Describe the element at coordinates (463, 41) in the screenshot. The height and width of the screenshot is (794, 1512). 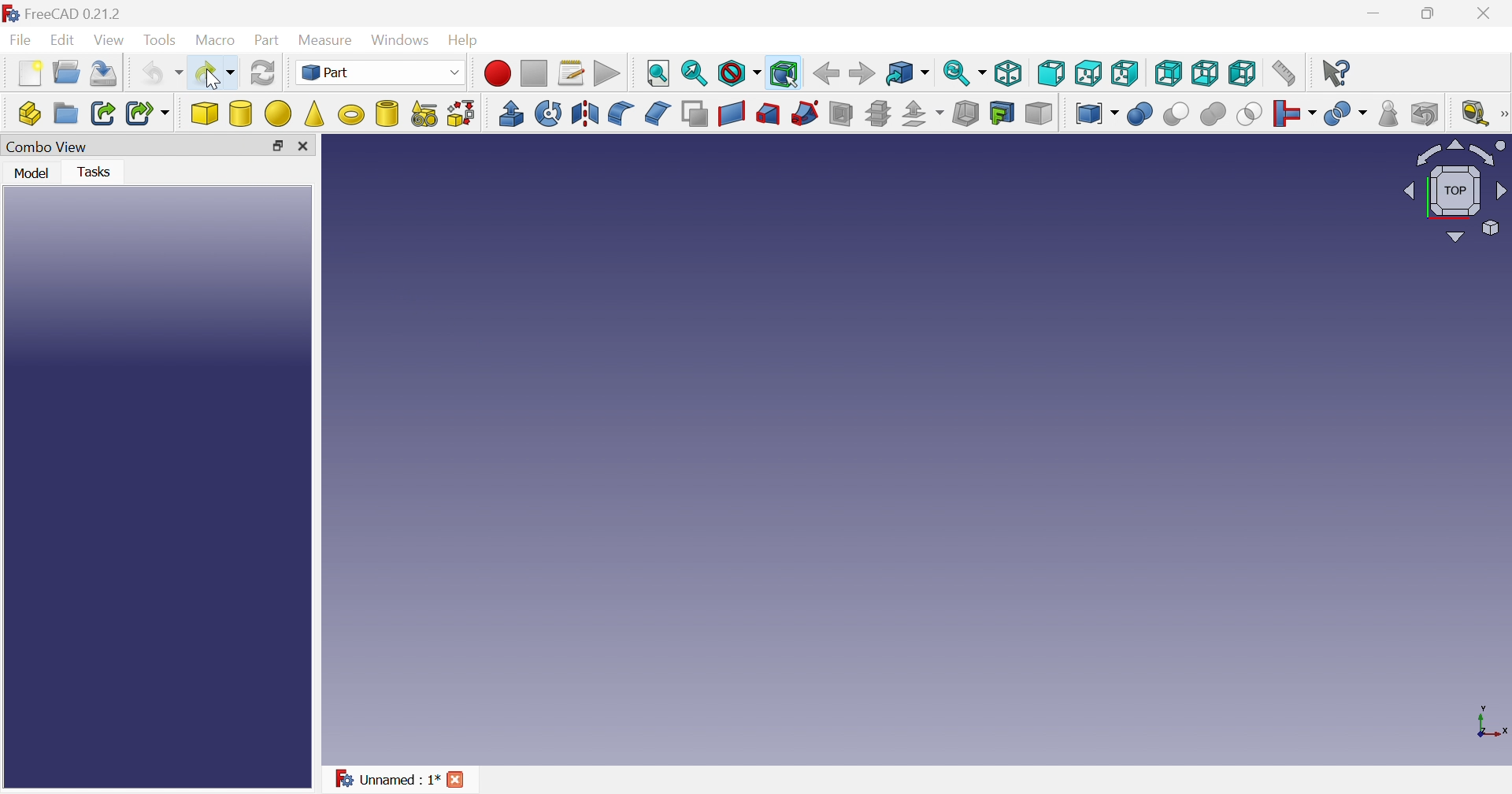
I see `Help` at that location.